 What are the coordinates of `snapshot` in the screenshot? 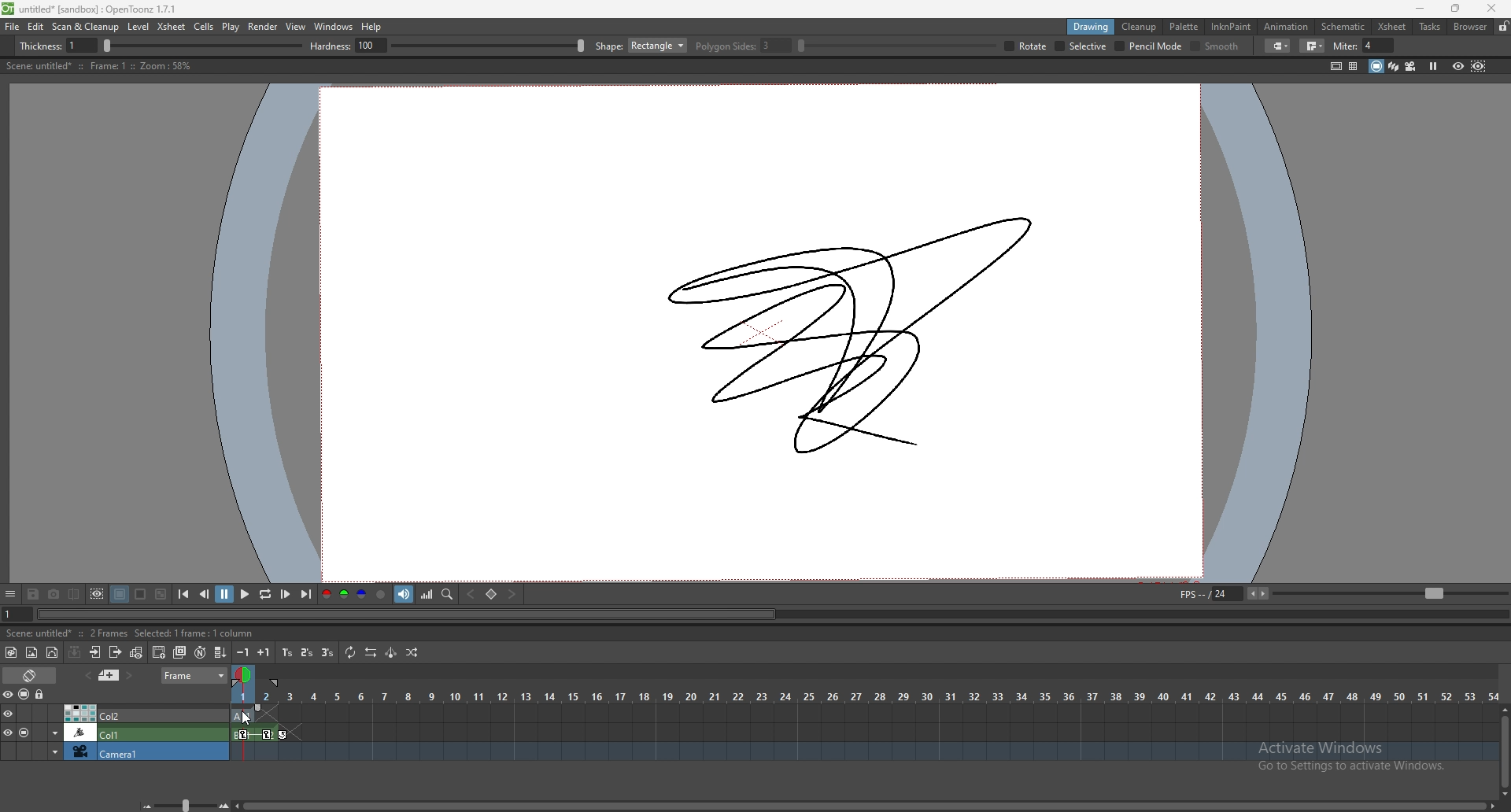 It's located at (54, 595).